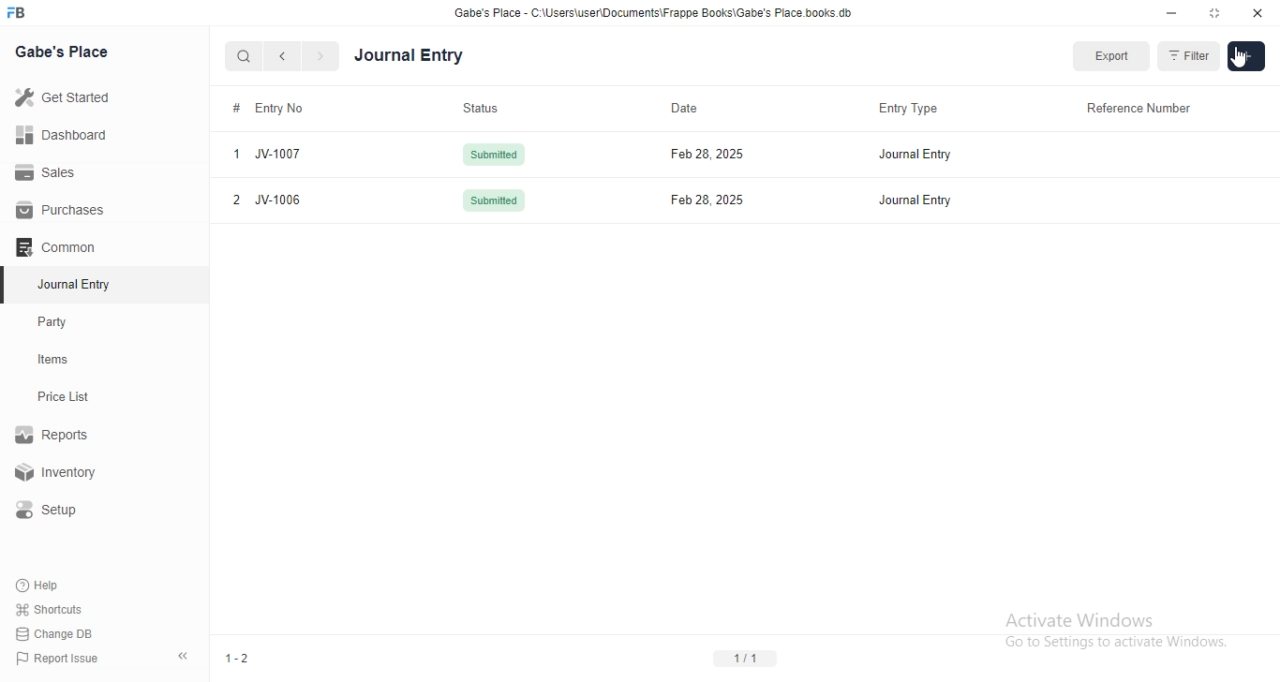 This screenshot has height=682, width=1280. I want to click on Journal Entry, so click(910, 154).